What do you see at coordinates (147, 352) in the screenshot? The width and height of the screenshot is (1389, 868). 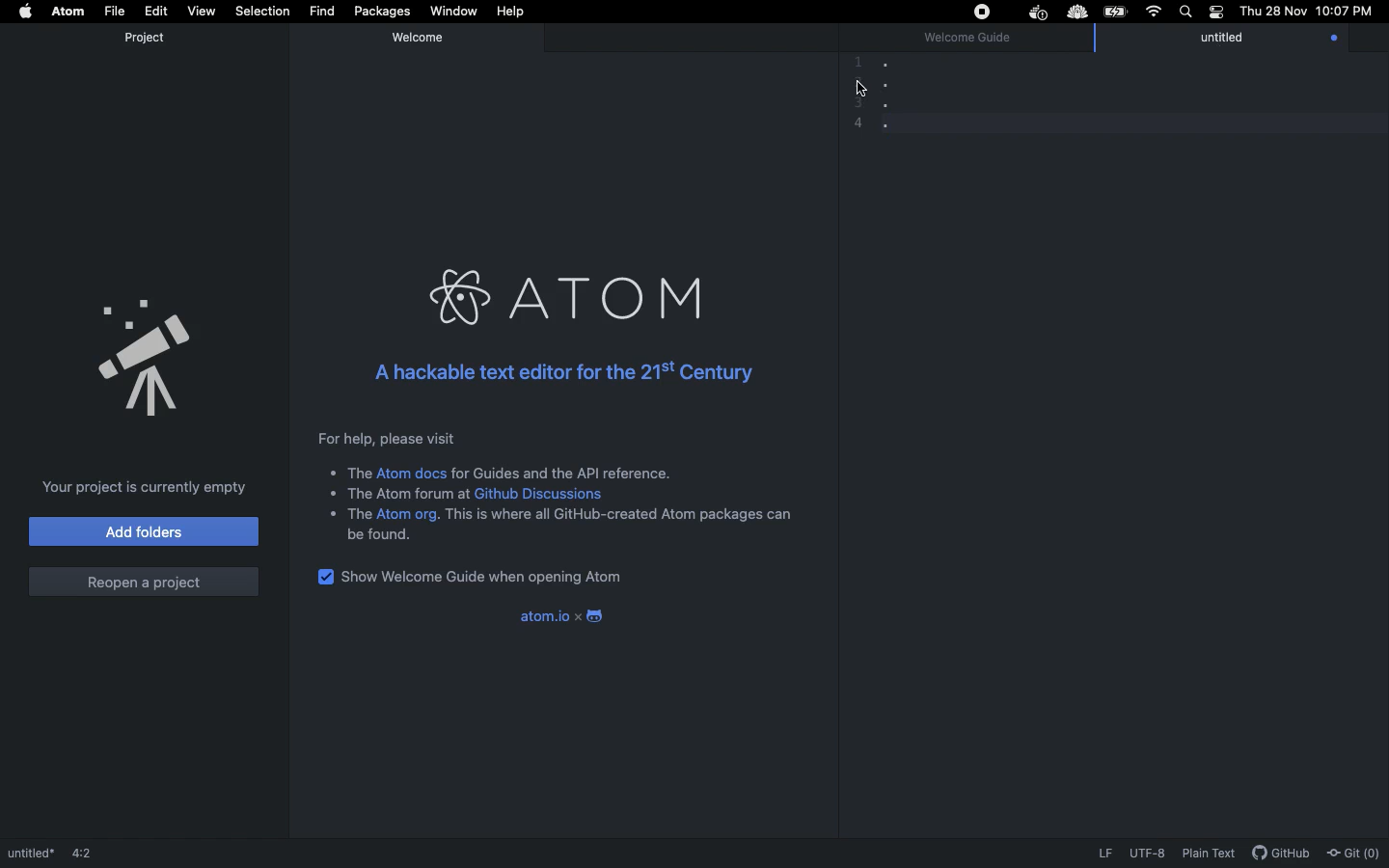 I see `announcement` at bounding box center [147, 352].